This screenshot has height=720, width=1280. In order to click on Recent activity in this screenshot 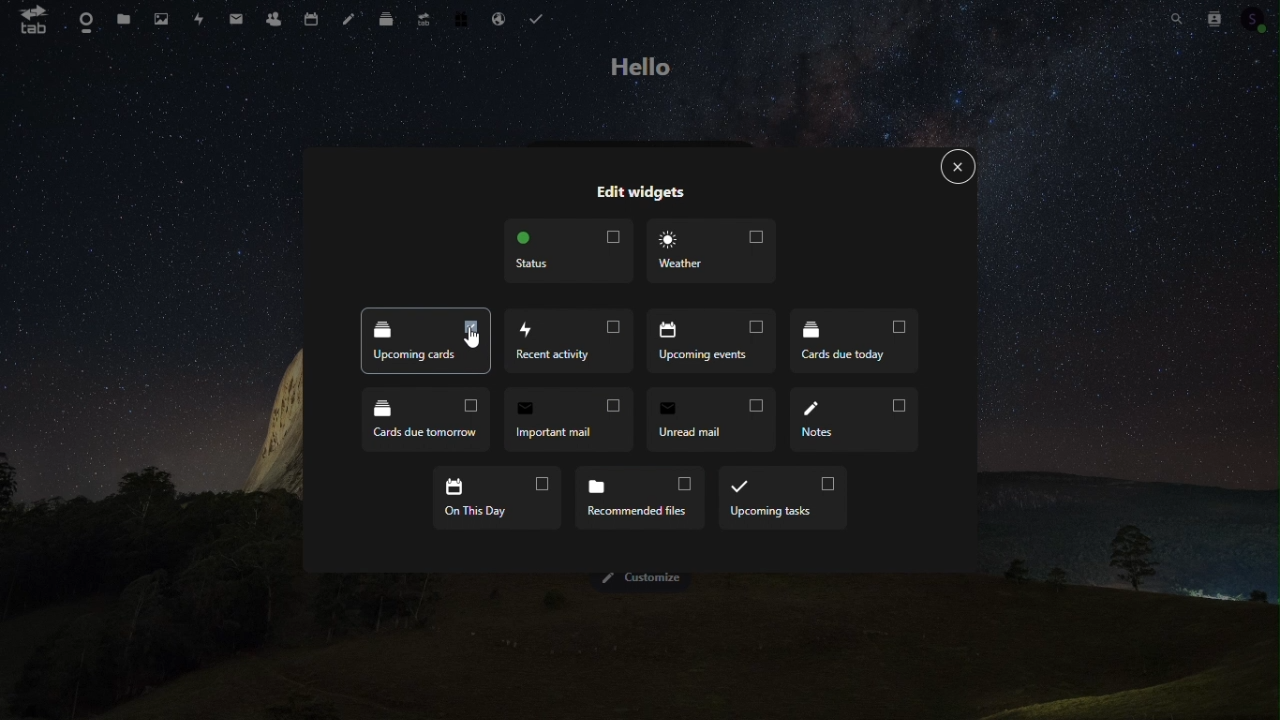, I will do `click(570, 342)`.